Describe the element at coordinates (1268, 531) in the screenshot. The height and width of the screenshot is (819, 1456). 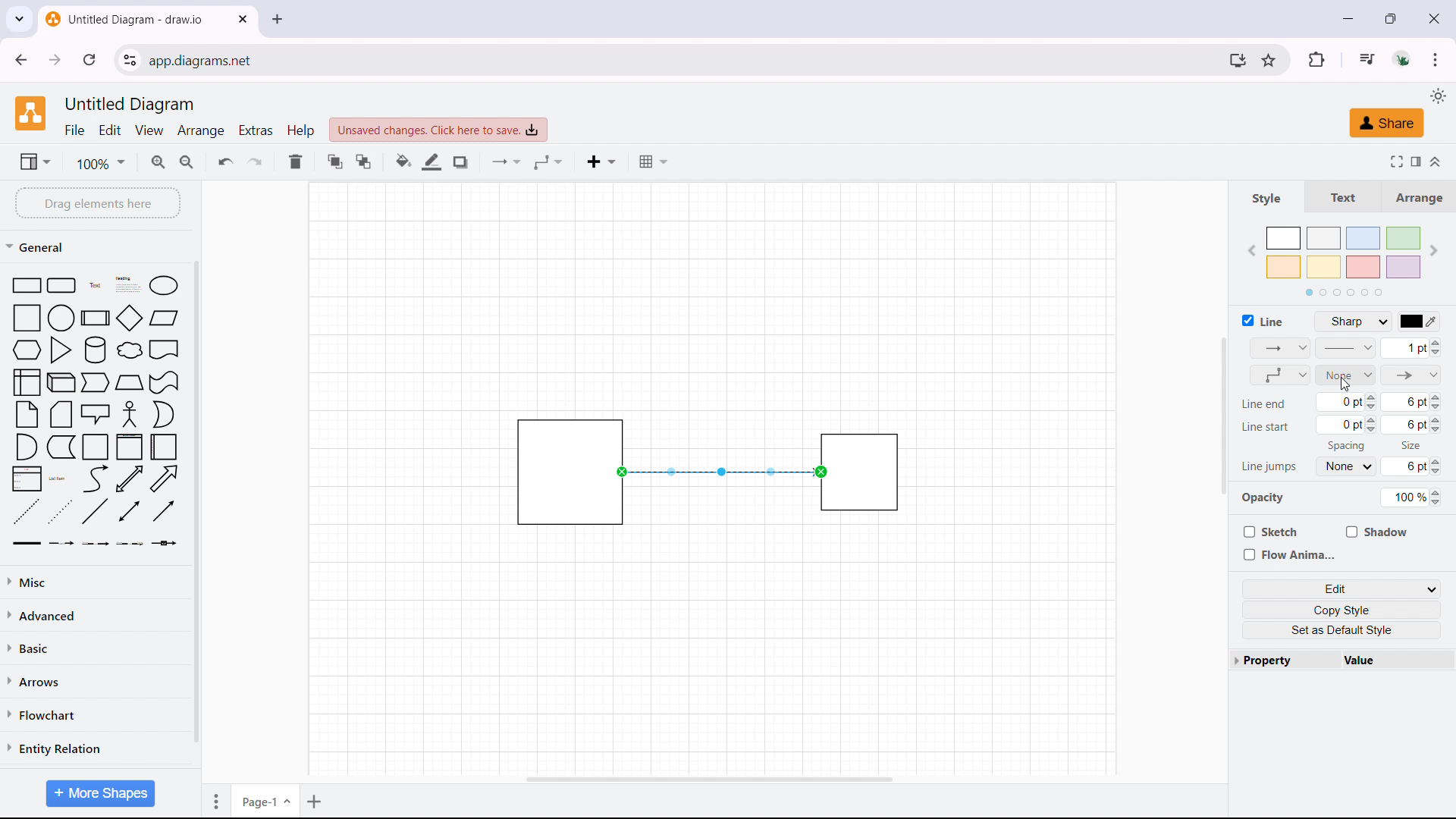
I see `sketch ` at that location.